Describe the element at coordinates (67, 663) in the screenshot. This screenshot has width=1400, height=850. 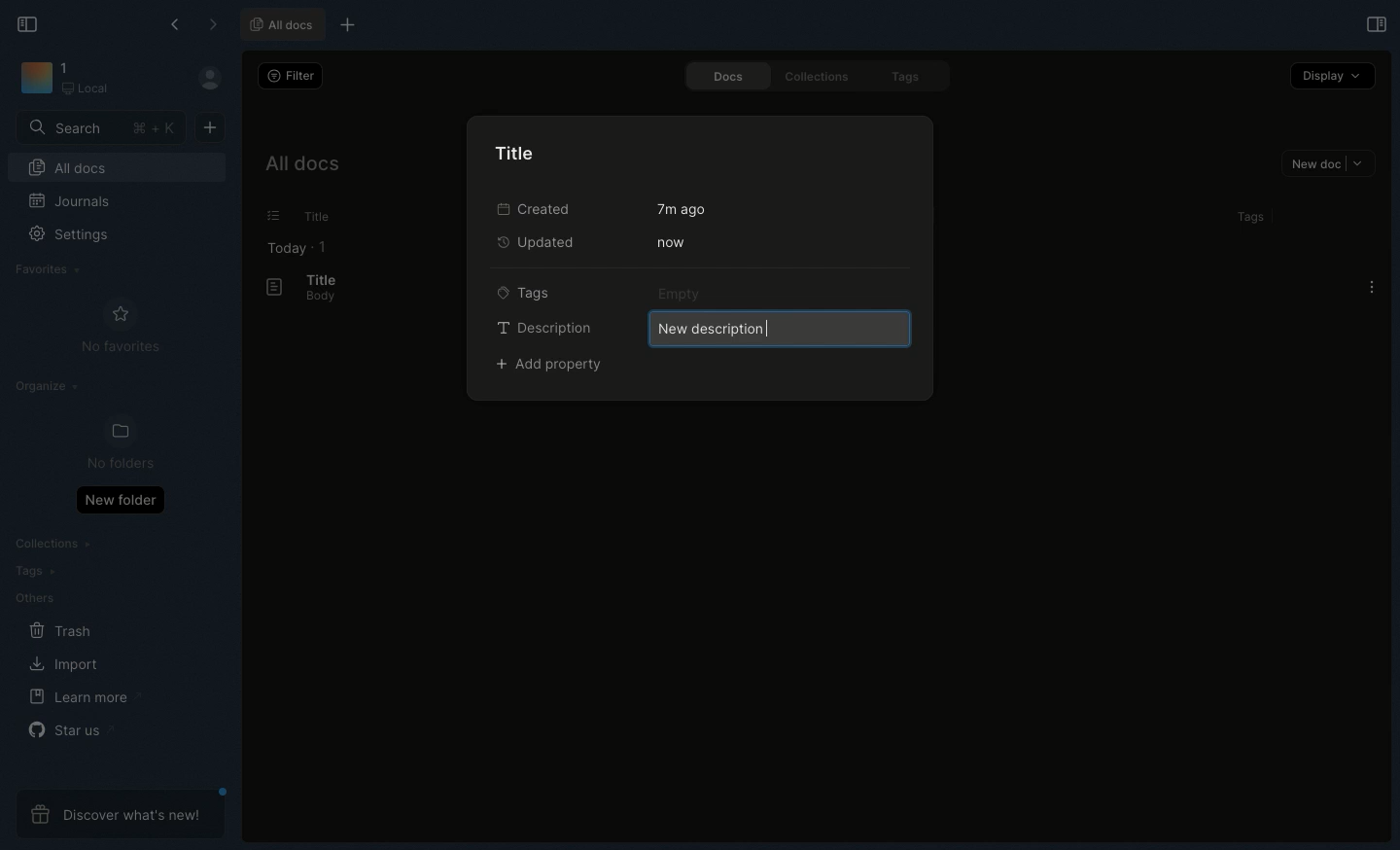
I see `Import` at that location.